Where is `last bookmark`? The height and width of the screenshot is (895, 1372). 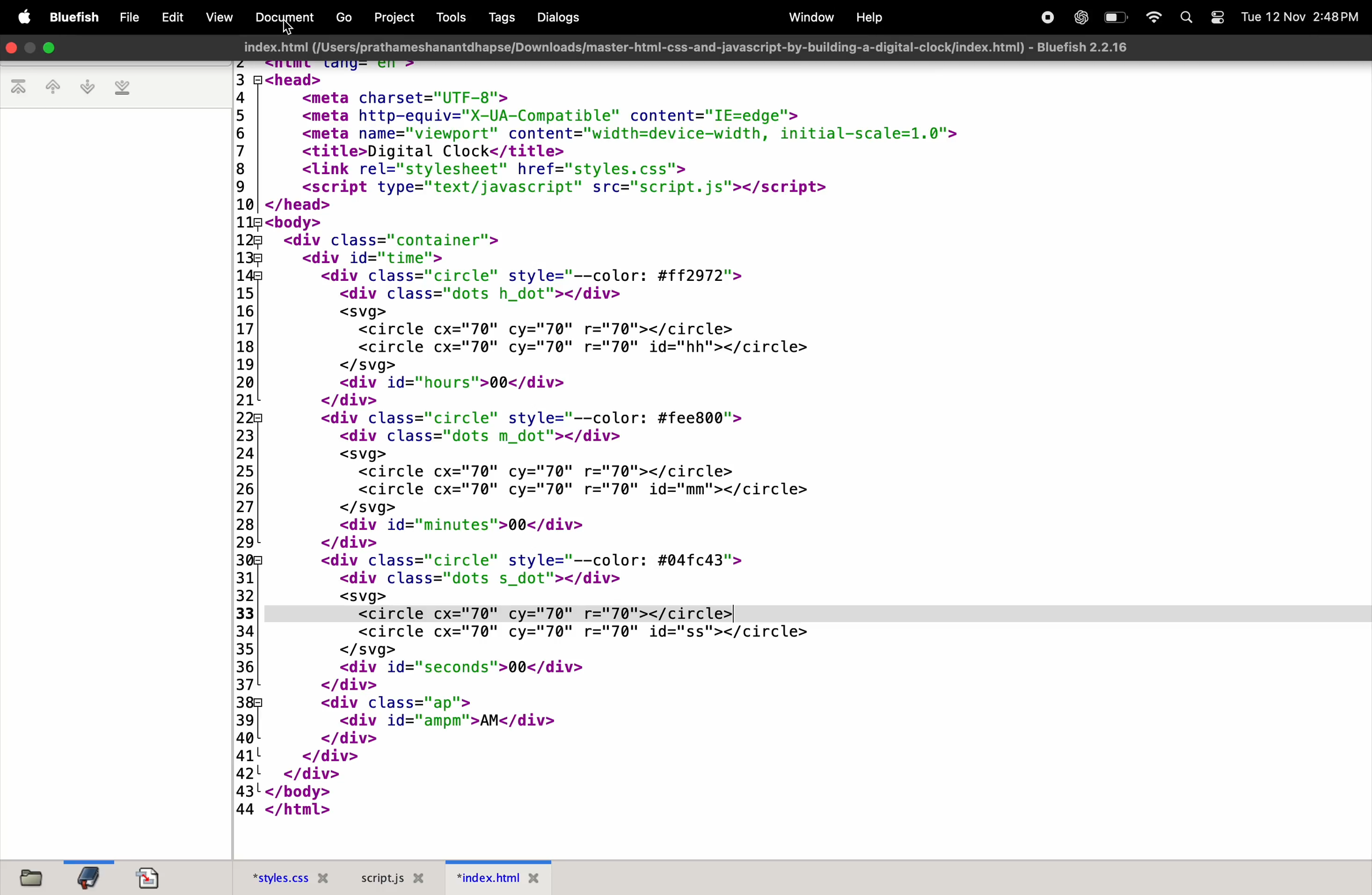 last bookmark is located at coordinates (125, 89).